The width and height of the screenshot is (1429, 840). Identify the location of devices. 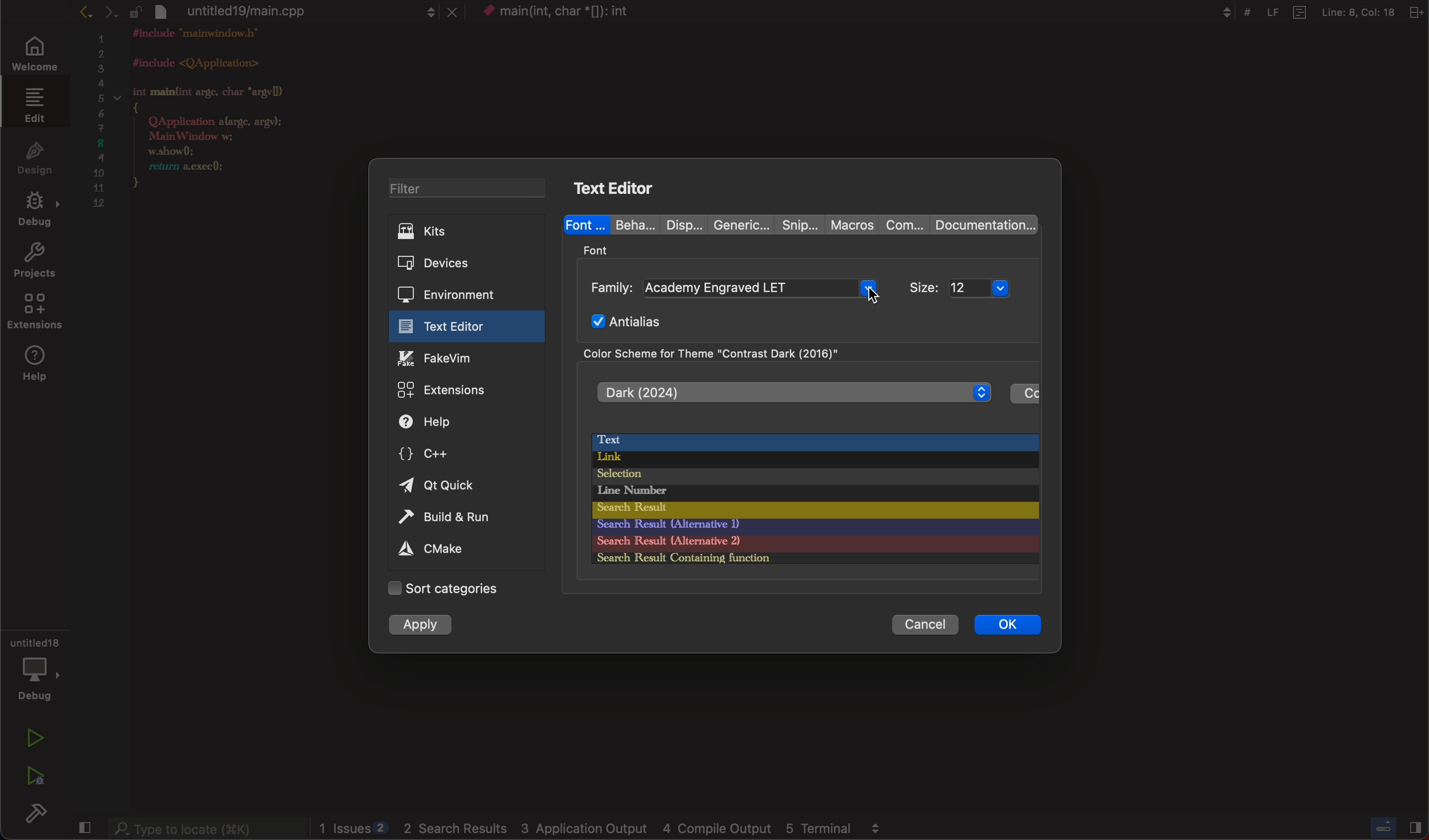
(458, 264).